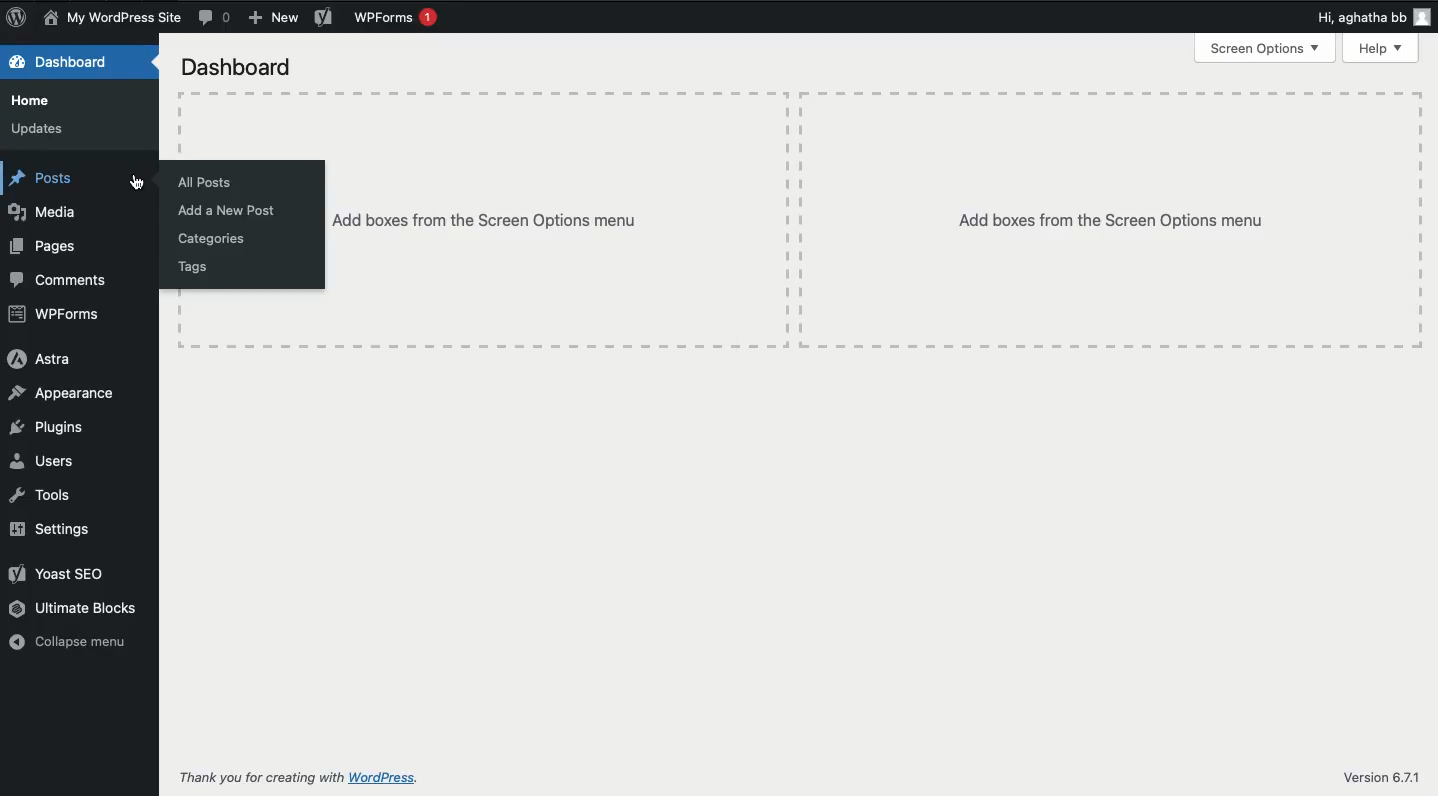 This screenshot has height=796, width=1438. I want to click on All post, so click(210, 181).